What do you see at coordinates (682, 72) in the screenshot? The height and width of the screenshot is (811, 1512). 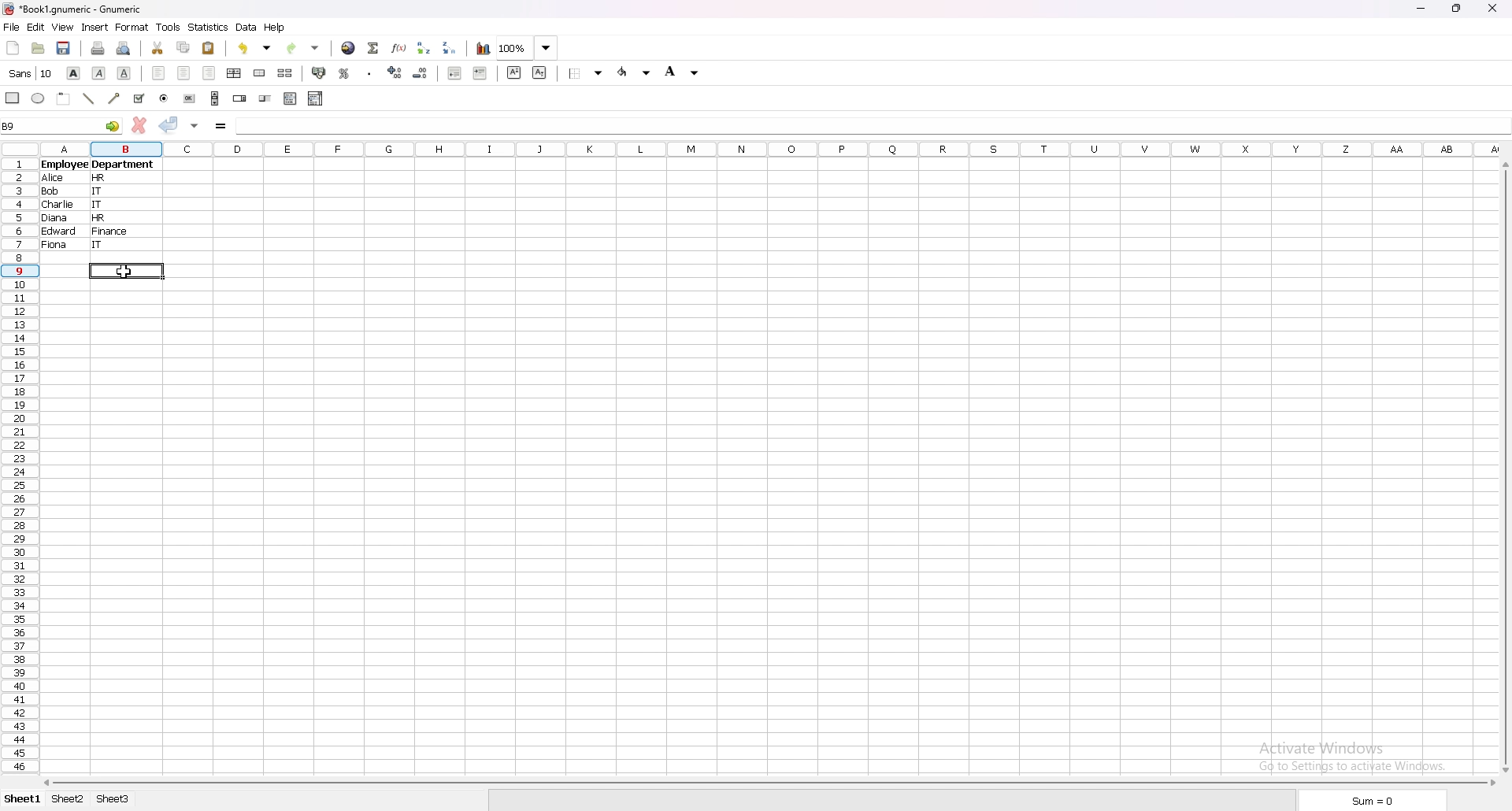 I see `background` at bounding box center [682, 72].